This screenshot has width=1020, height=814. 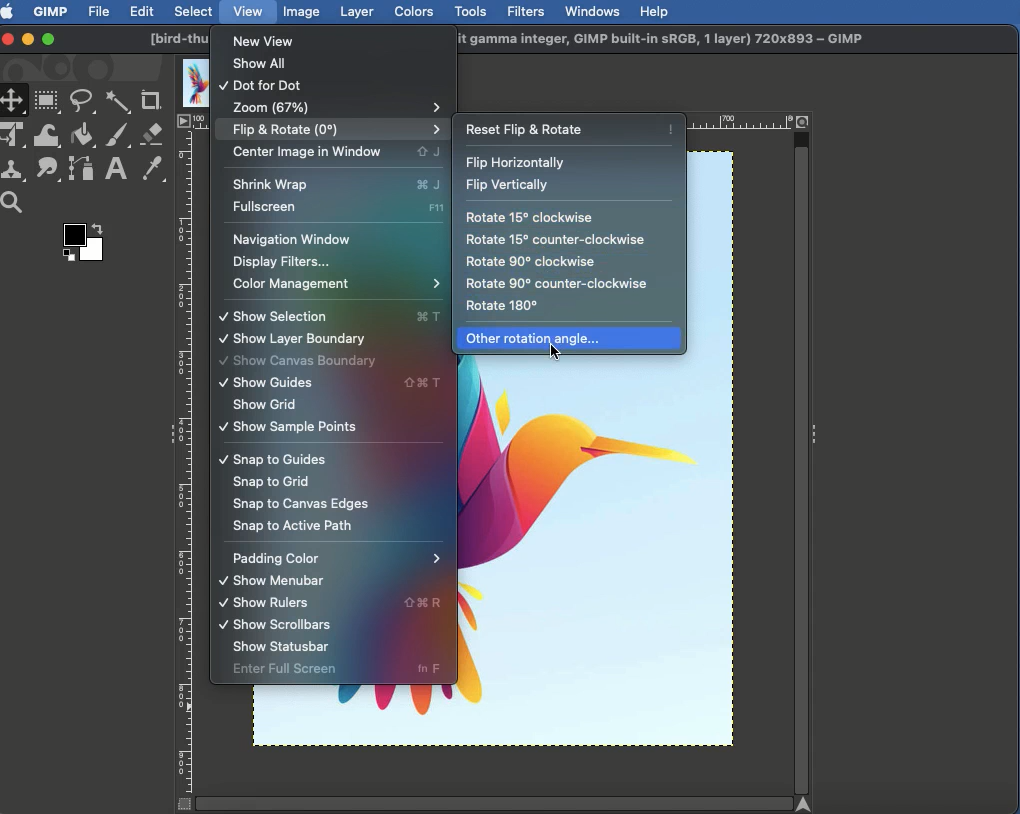 I want to click on Show selection, so click(x=302, y=316).